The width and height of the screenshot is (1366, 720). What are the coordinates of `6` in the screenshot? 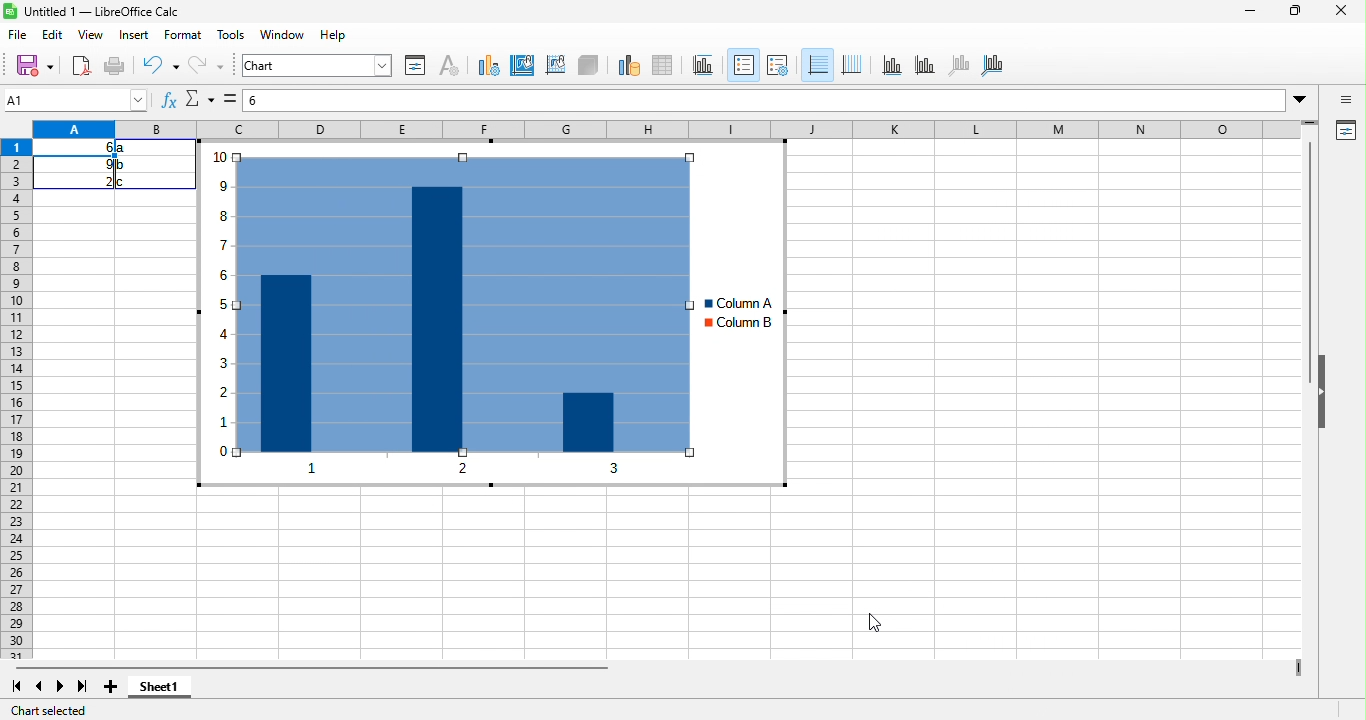 It's located at (99, 147).